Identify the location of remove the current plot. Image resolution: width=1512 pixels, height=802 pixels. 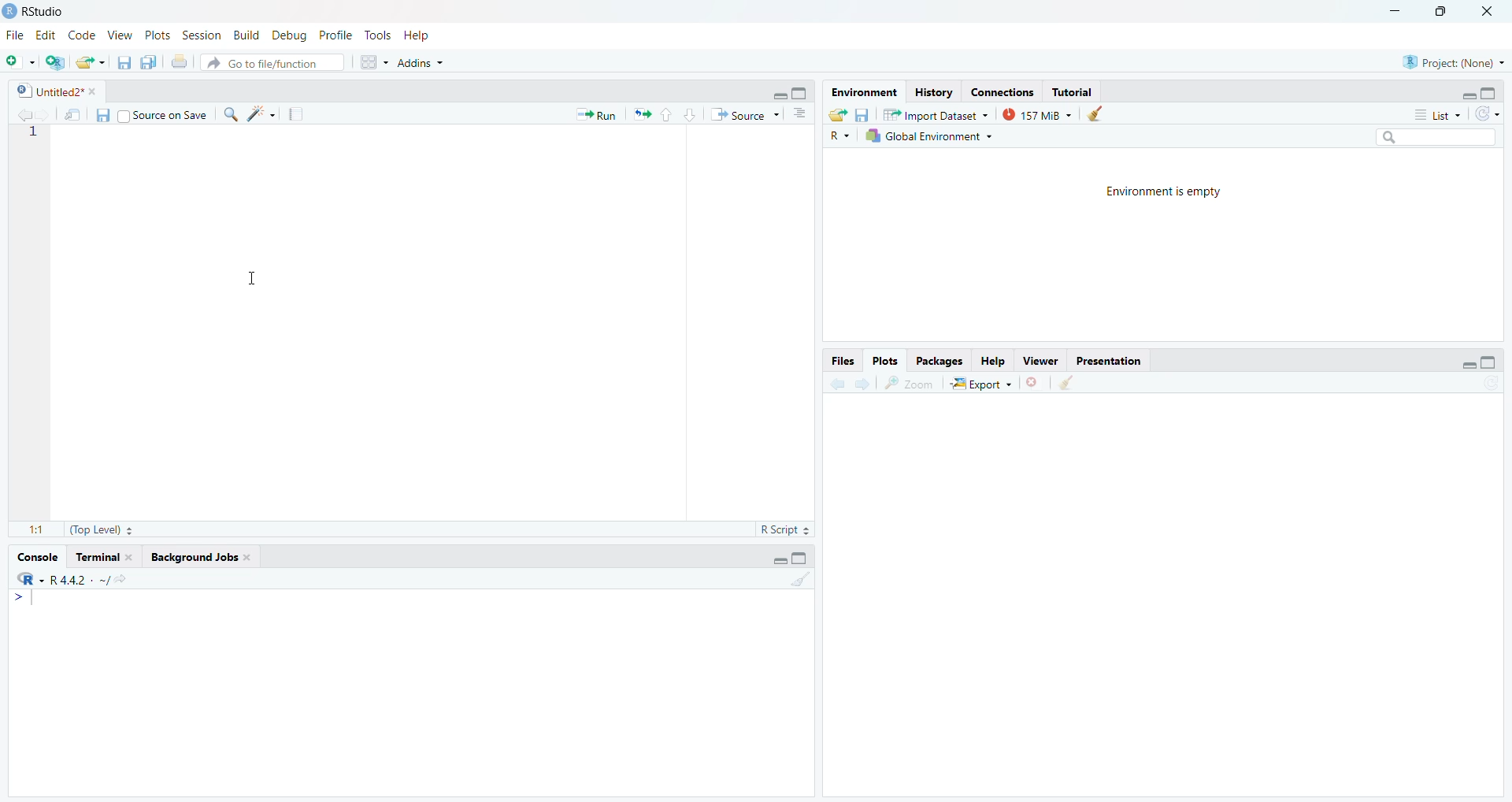
(1034, 383).